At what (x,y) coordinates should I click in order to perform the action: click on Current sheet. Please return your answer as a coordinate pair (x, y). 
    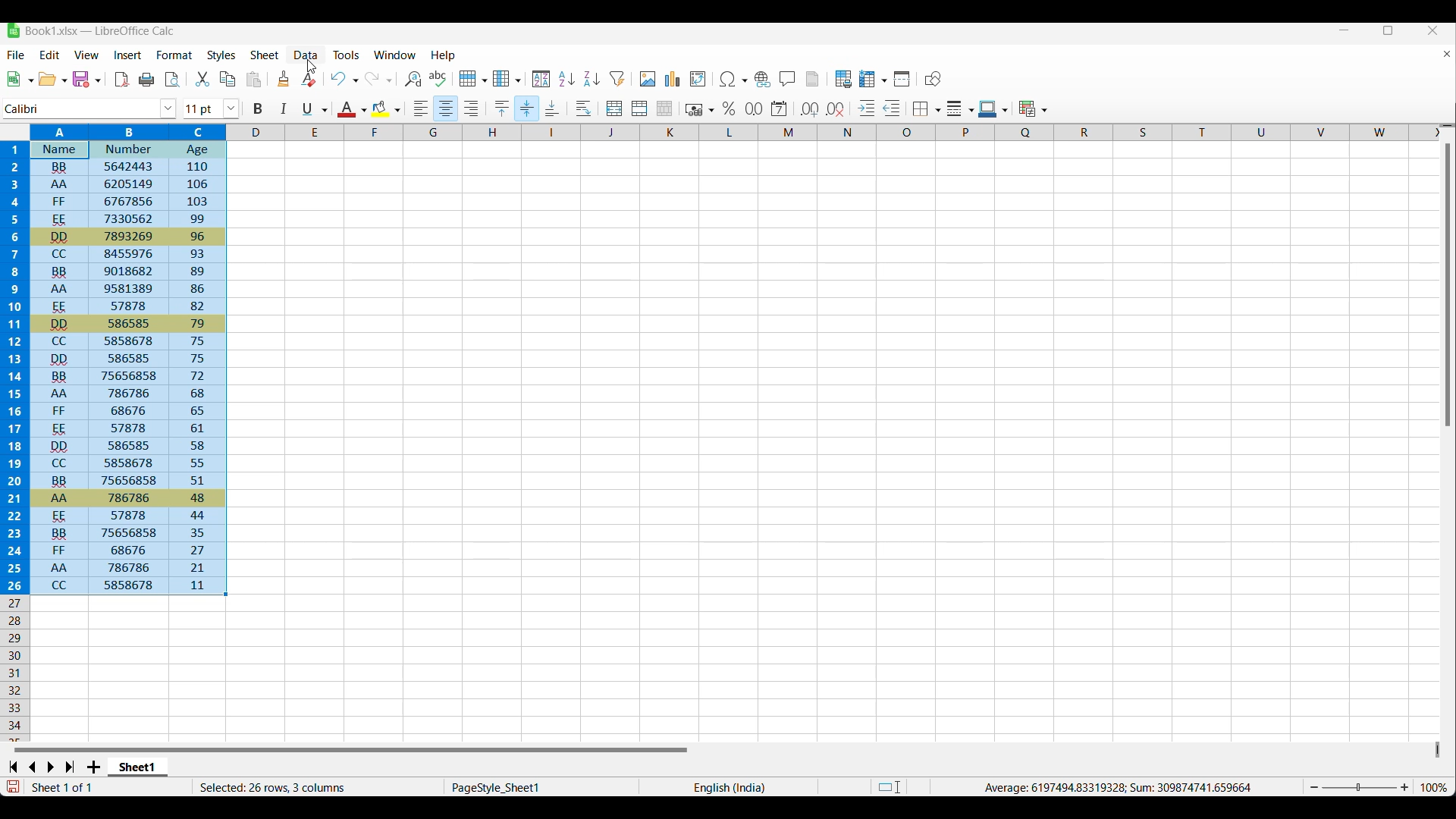
    Looking at the image, I should click on (138, 767).